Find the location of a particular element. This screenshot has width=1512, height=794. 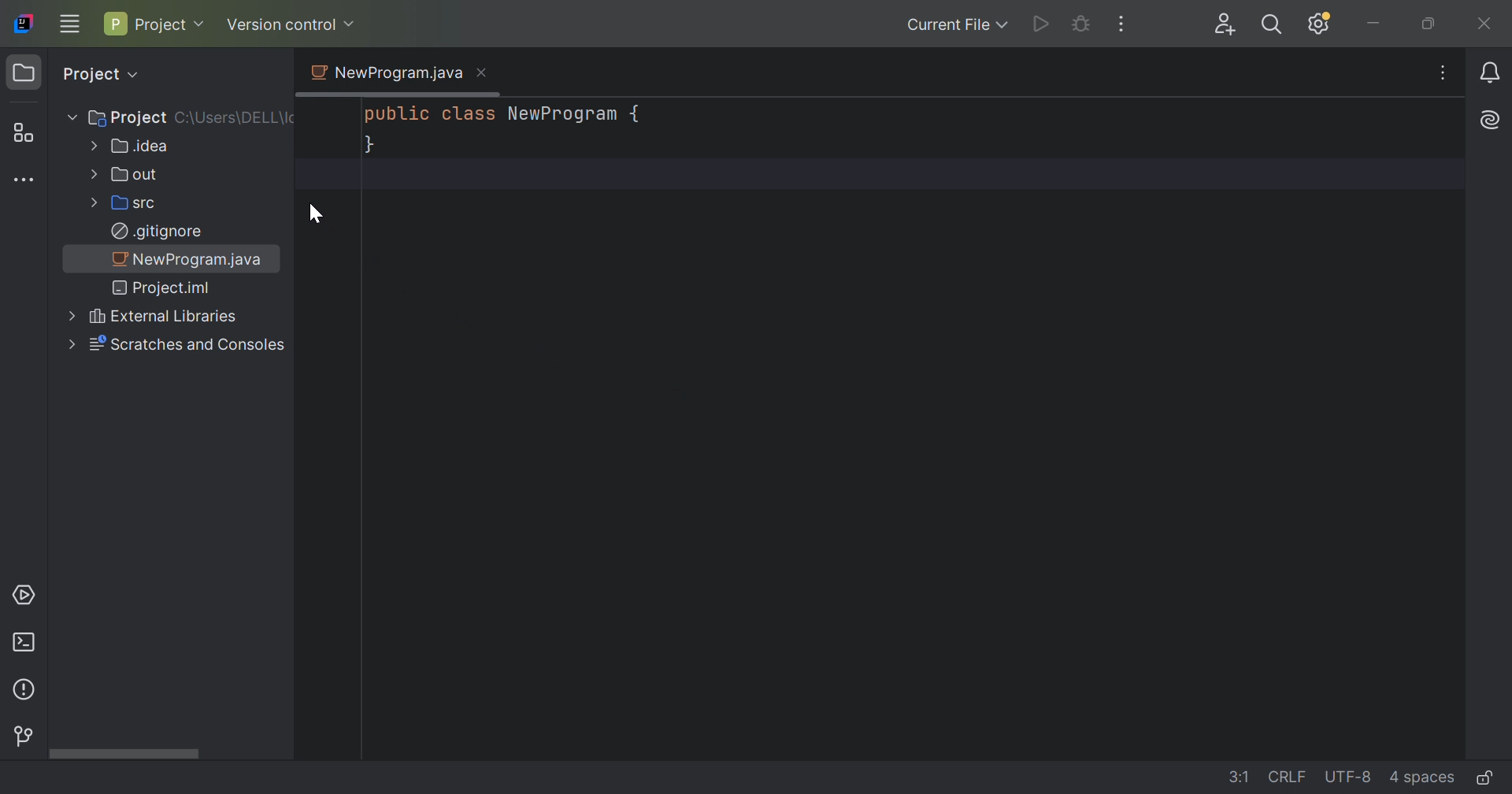

Drop Down is located at coordinates (93, 202).